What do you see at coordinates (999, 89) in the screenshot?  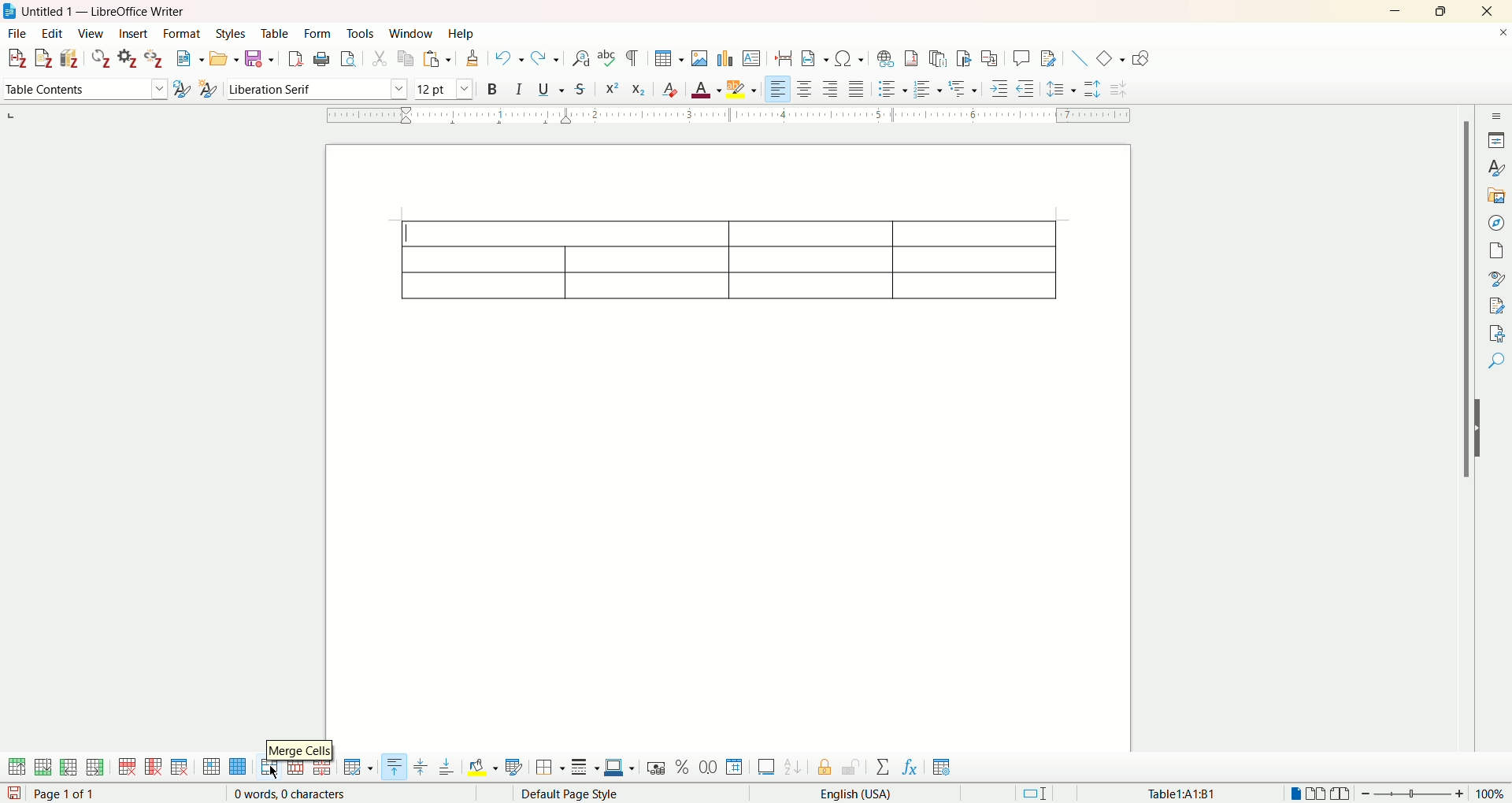 I see `increase indent` at bounding box center [999, 89].